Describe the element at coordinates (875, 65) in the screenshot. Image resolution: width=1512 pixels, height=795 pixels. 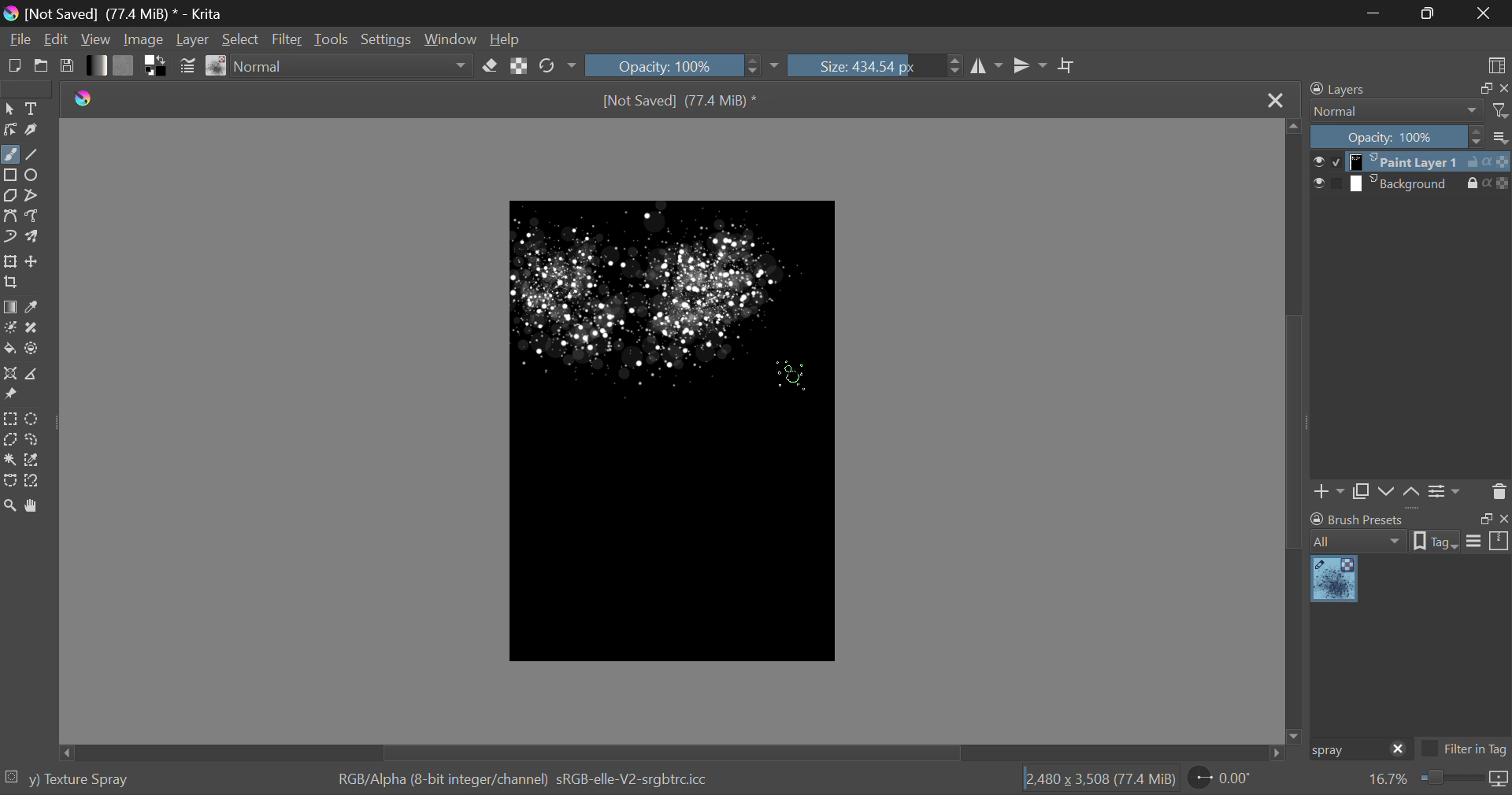
I see `Brush Size` at that location.